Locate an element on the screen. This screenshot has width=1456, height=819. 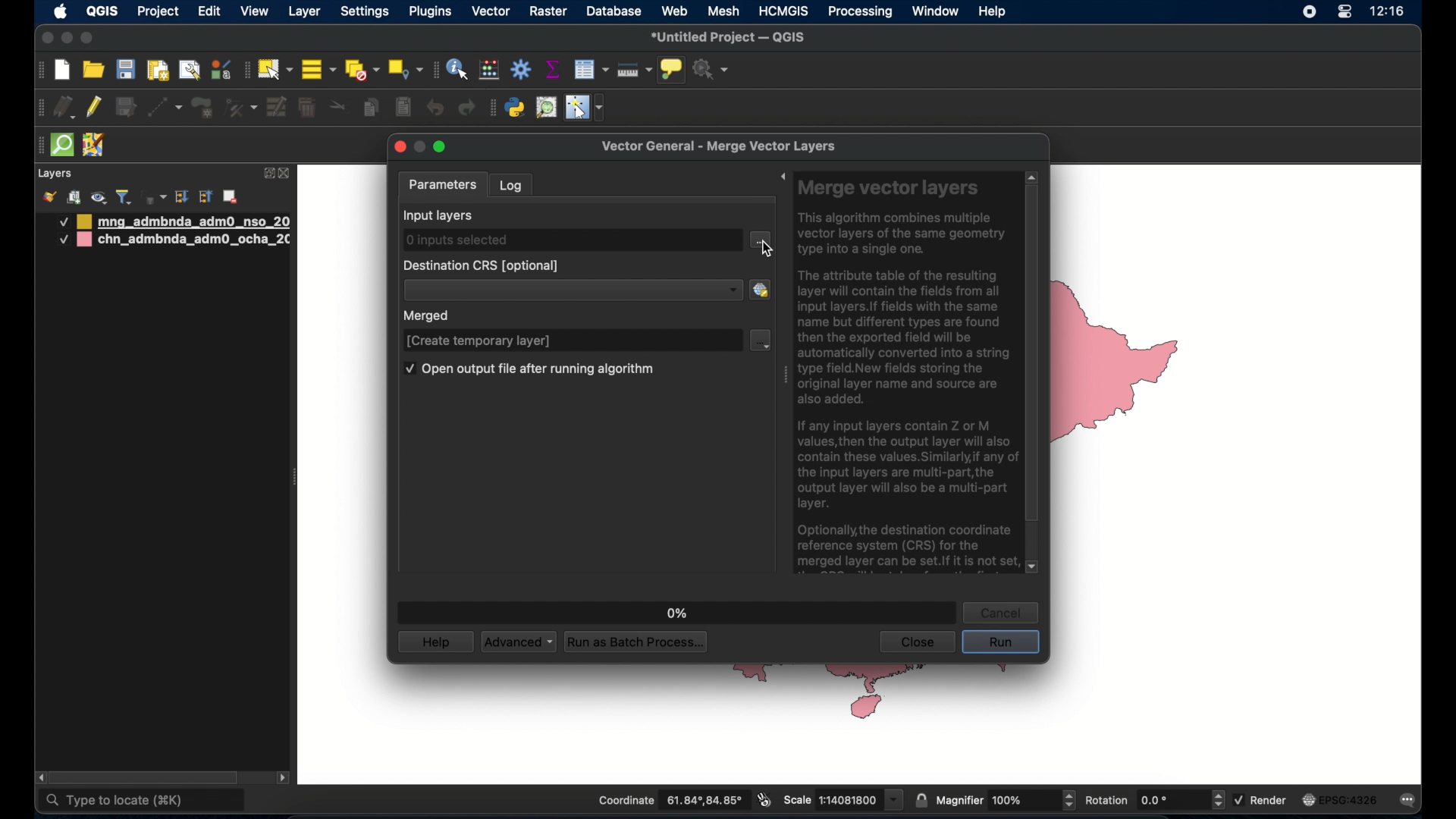
time is located at coordinates (1388, 13).